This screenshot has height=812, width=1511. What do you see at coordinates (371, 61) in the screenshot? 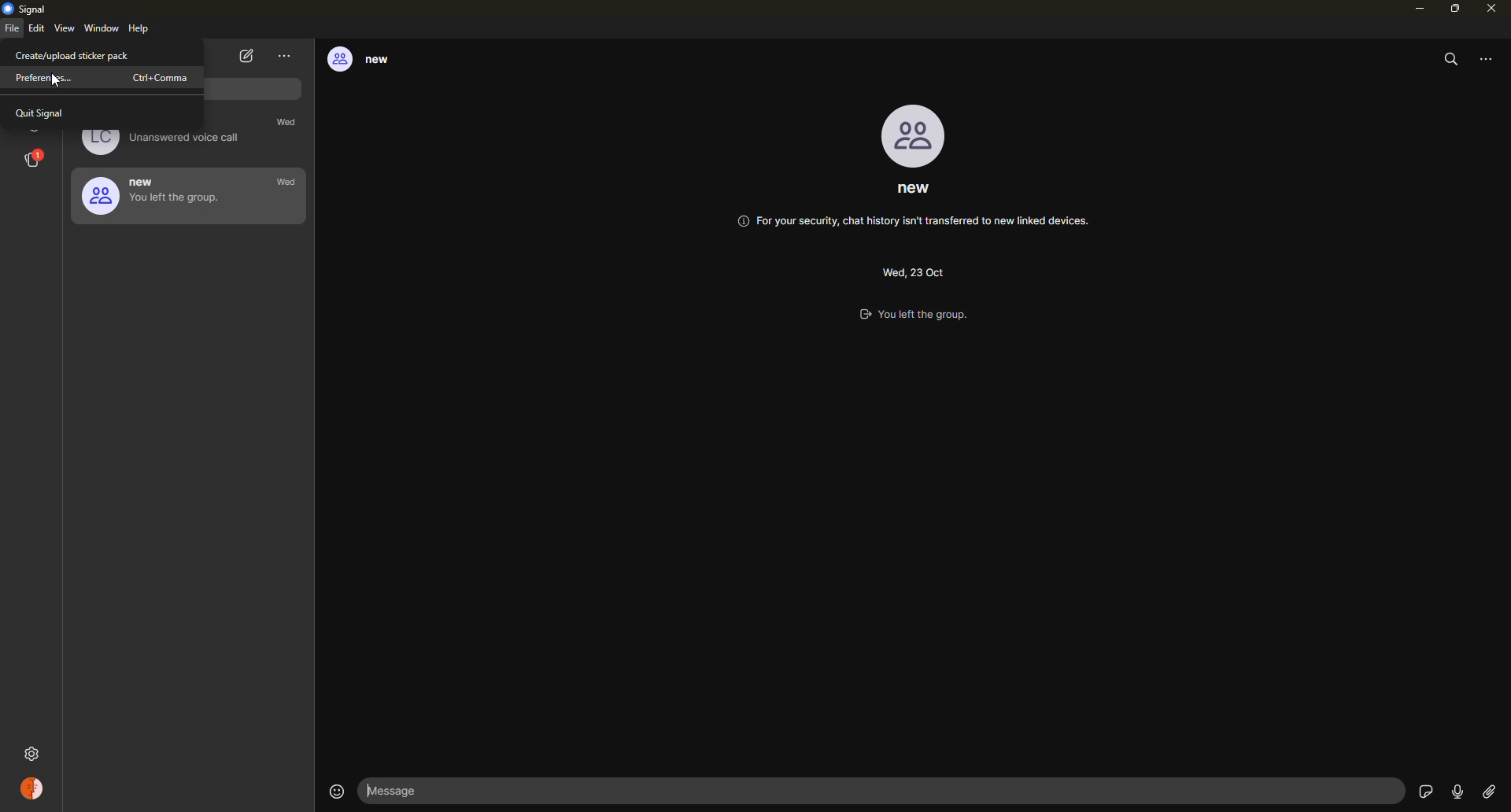
I see `new` at bounding box center [371, 61].